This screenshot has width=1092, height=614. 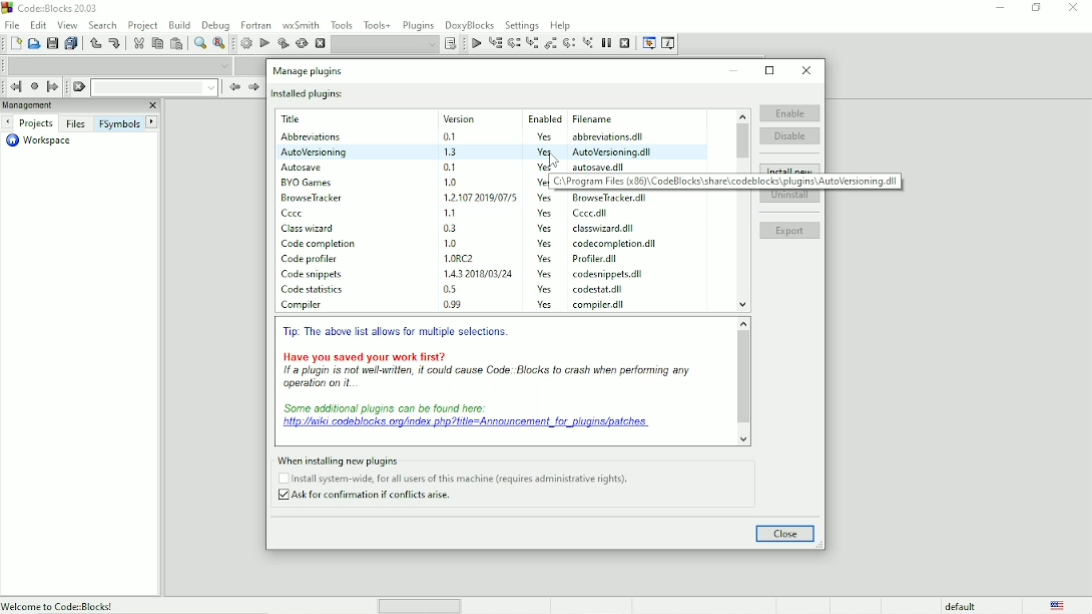 What do you see at coordinates (283, 43) in the screenshot?
I see `Build and run` at bounding box center [283, 43].